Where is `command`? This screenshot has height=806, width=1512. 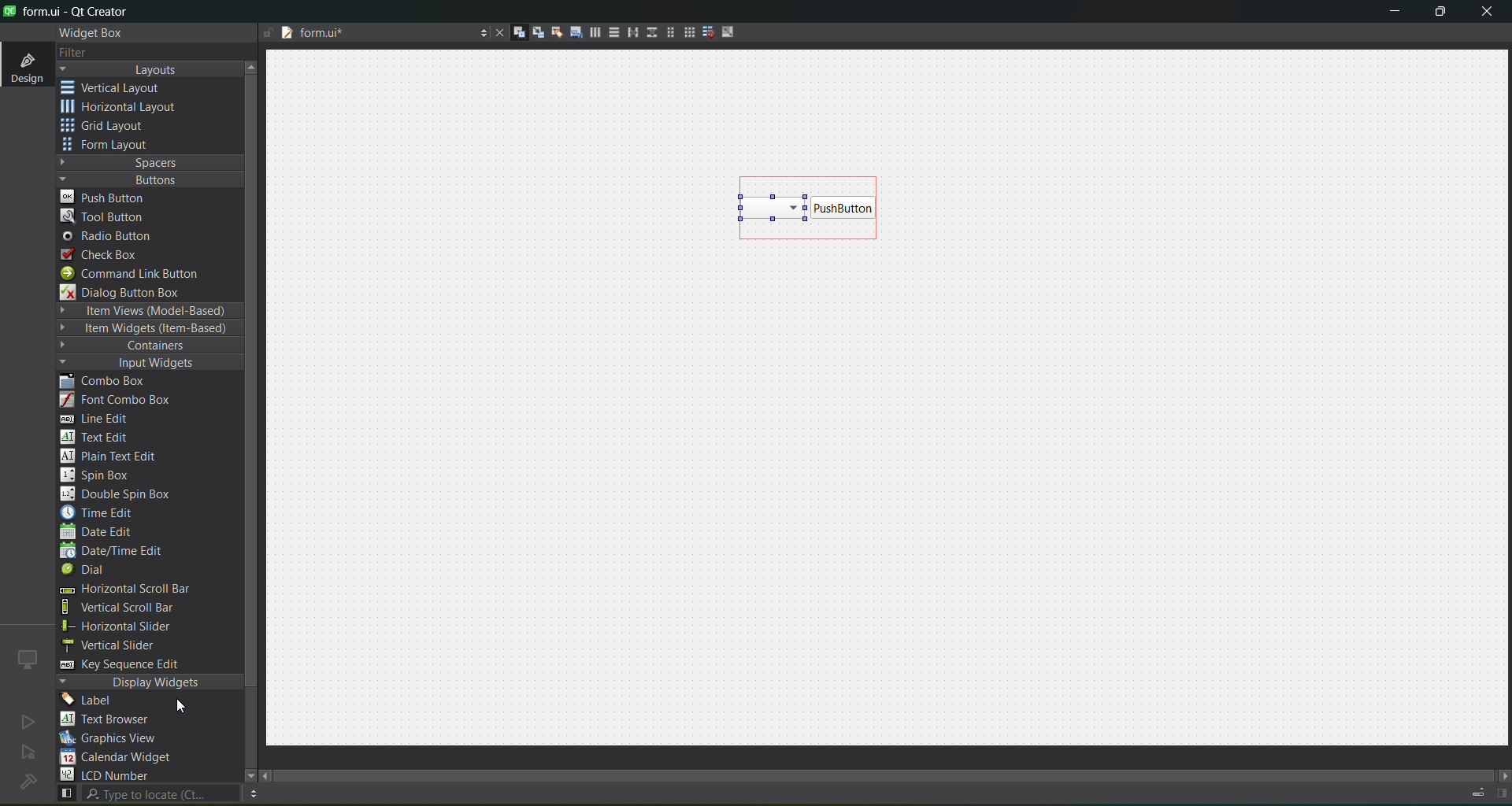
command is located at coordinates (140, 275).